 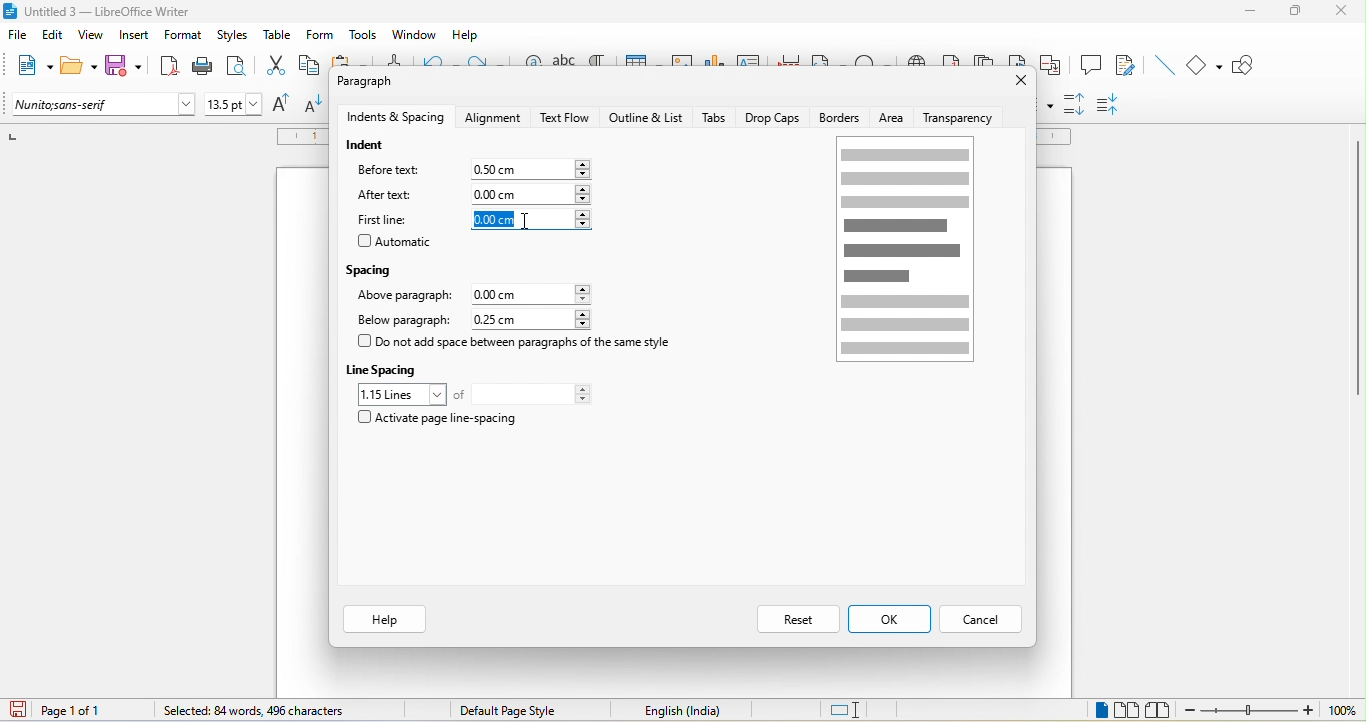 What do you see at coordinates (838, 118) in the screenshot?
I see `borders` at bounding box center [838, 118].